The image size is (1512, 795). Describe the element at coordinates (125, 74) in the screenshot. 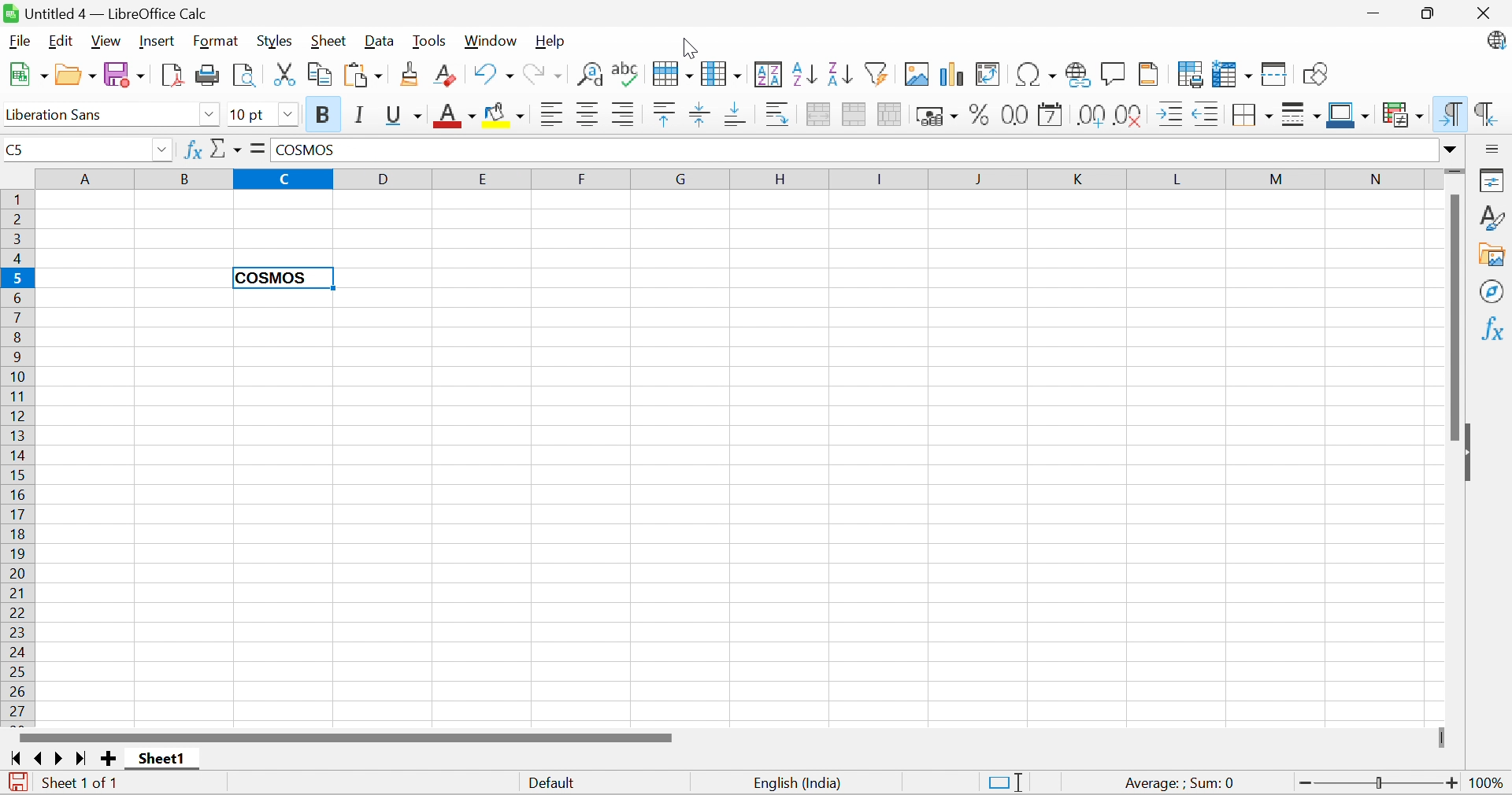

I see `Save` at that location.